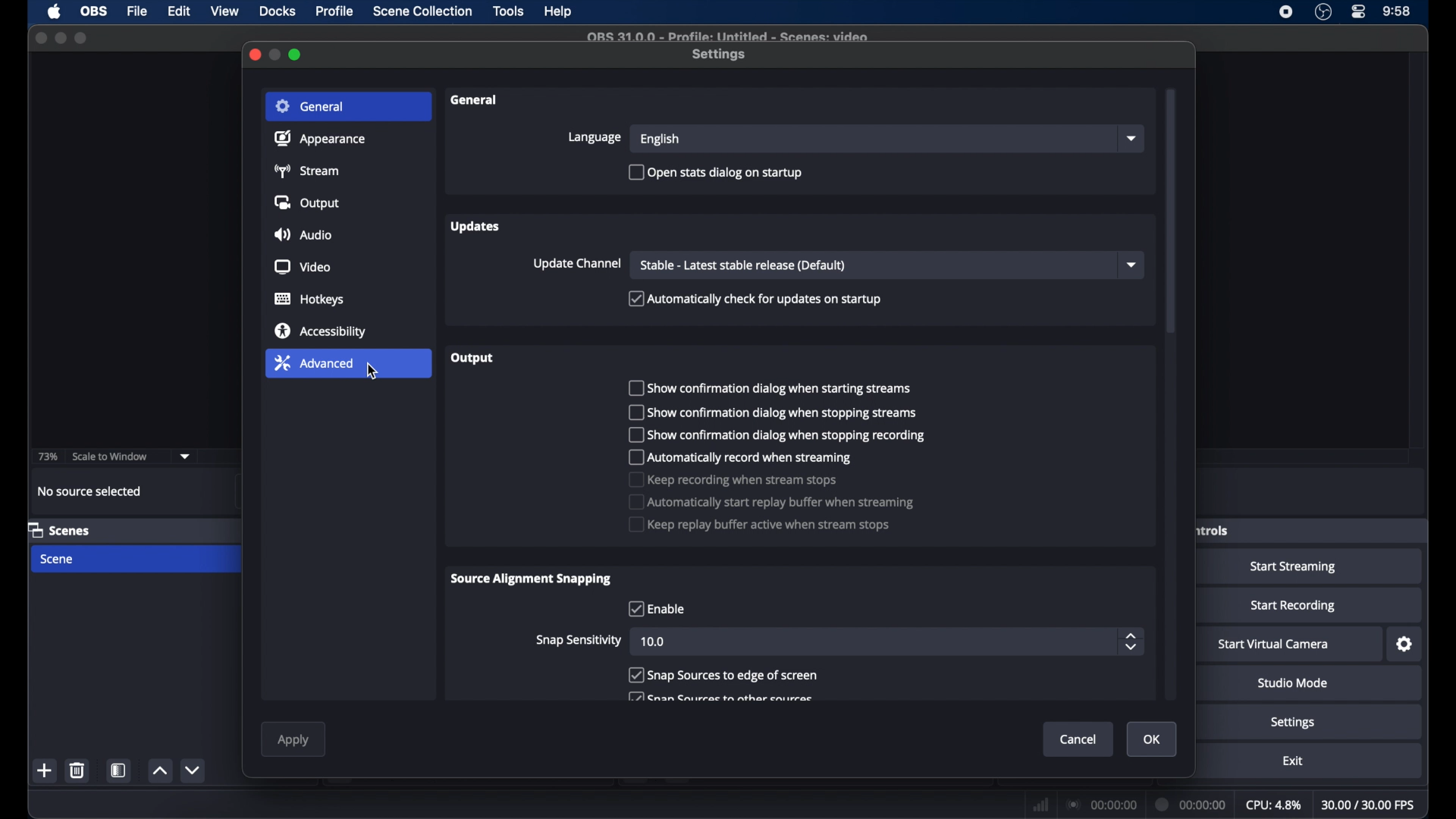 The width and height of the screenshot is (1456, 819). What do you see at coordinates (46, 457) in the screenshot?
I see `73%` at bounding box center [46, 457].